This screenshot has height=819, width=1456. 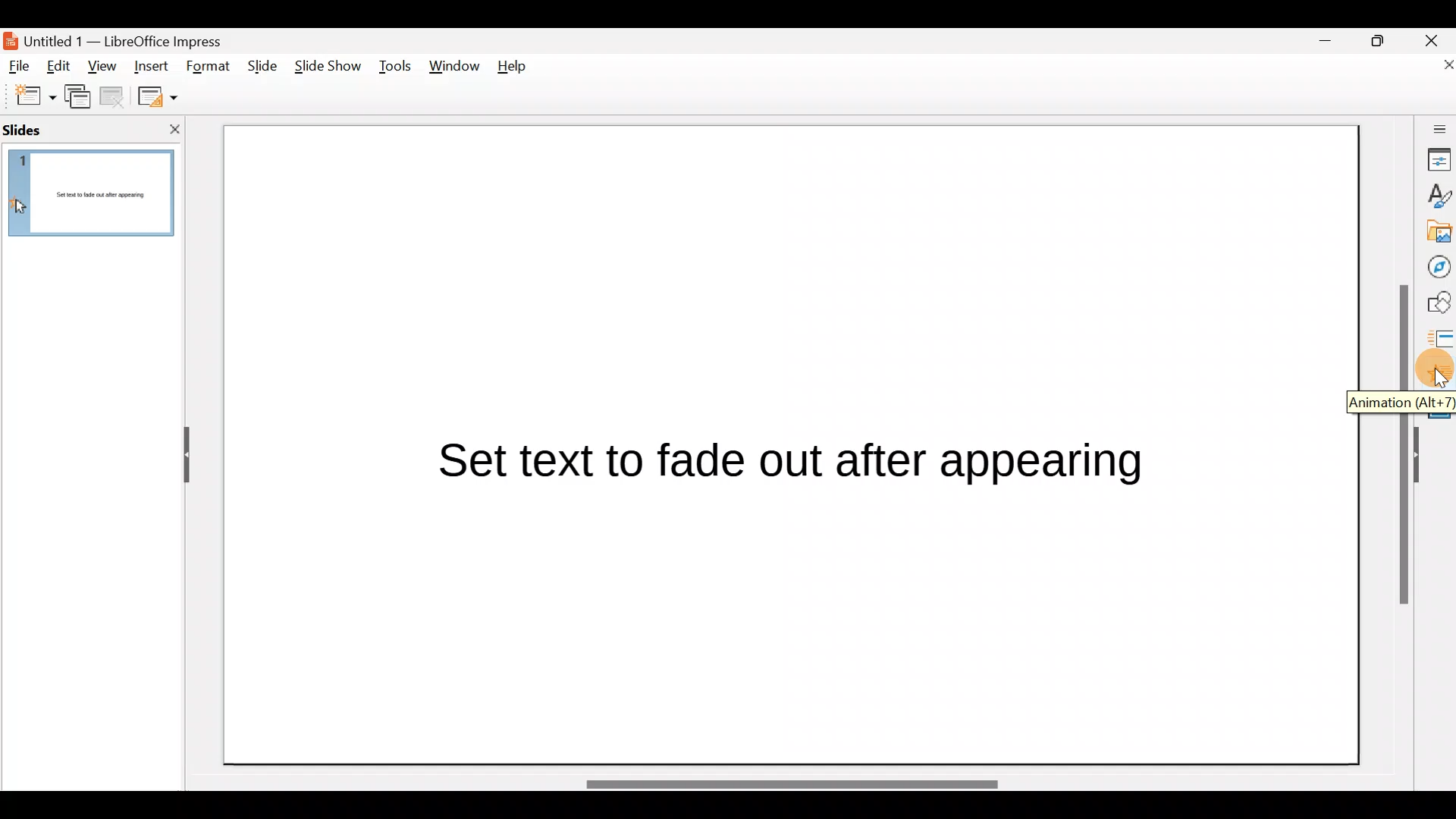 I want to click on Scroll bar, so click(x=1398, y=466).